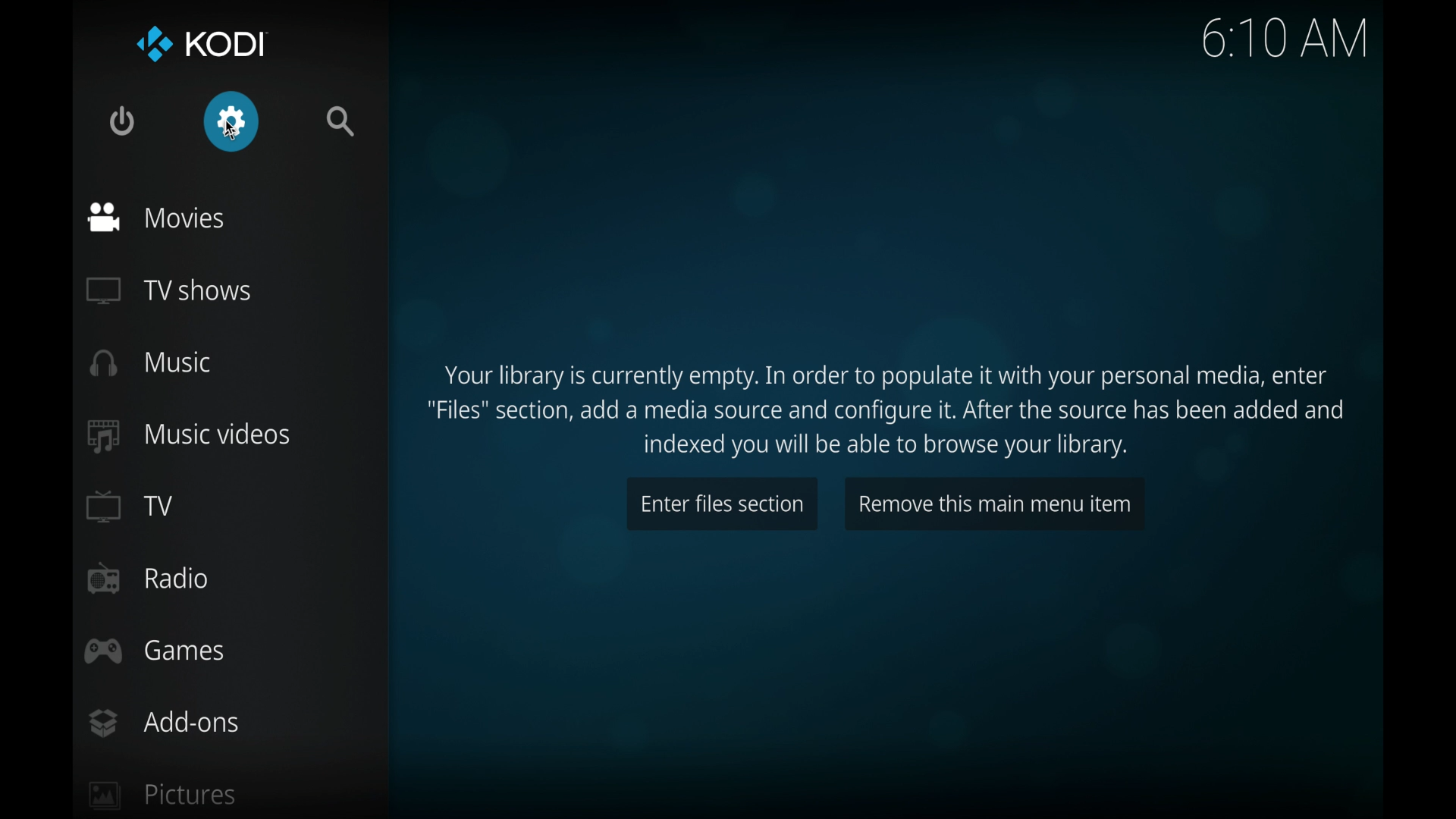 Image resolution: width=1456 pixels, height=819 pixels. I want to click on search, so click(340, 121).